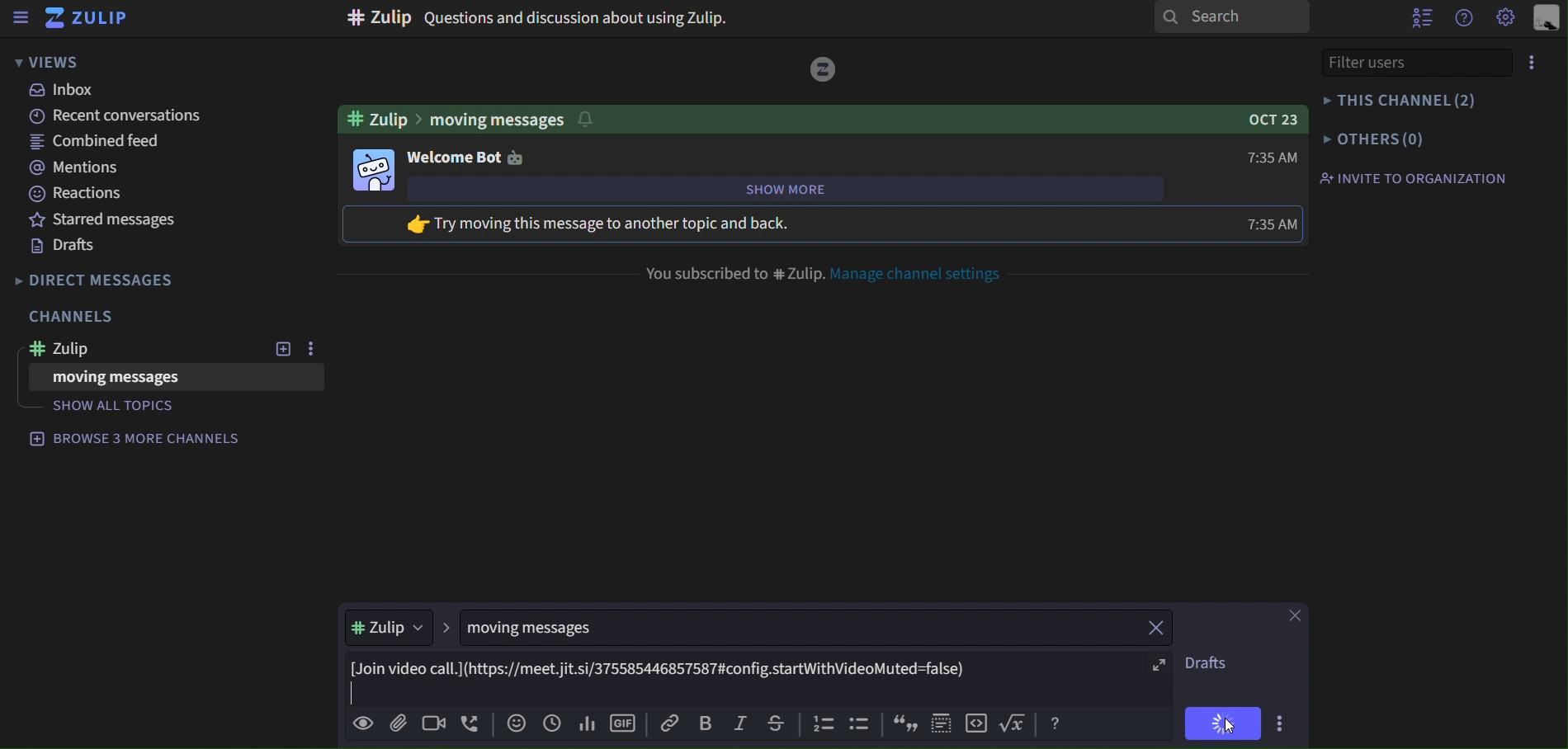 The width and height of the screenshot is (1568, 749). I want to click on invite to organization, so click(1416, 177).